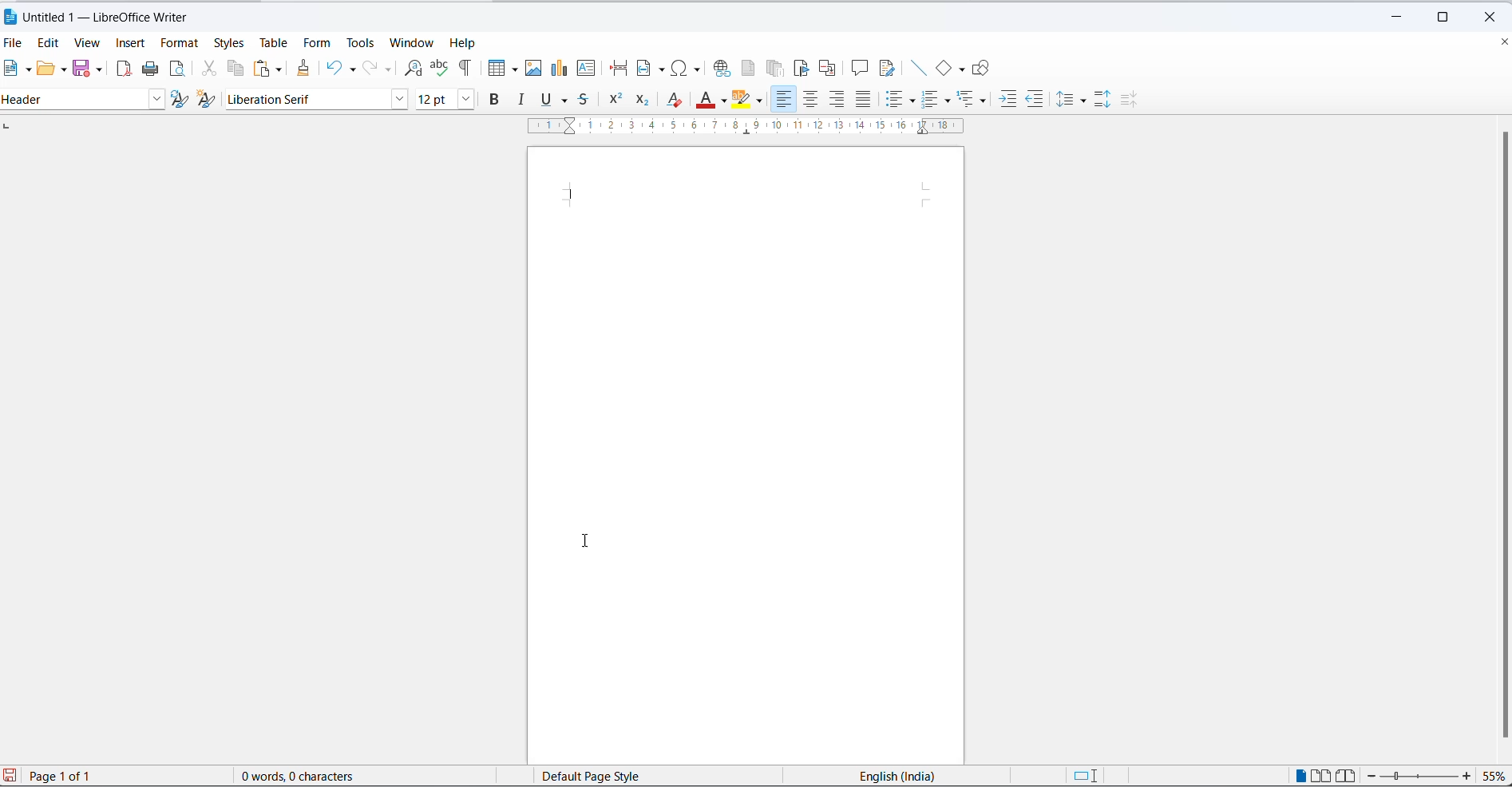  I want to click on insert chart, so click(560, 69).